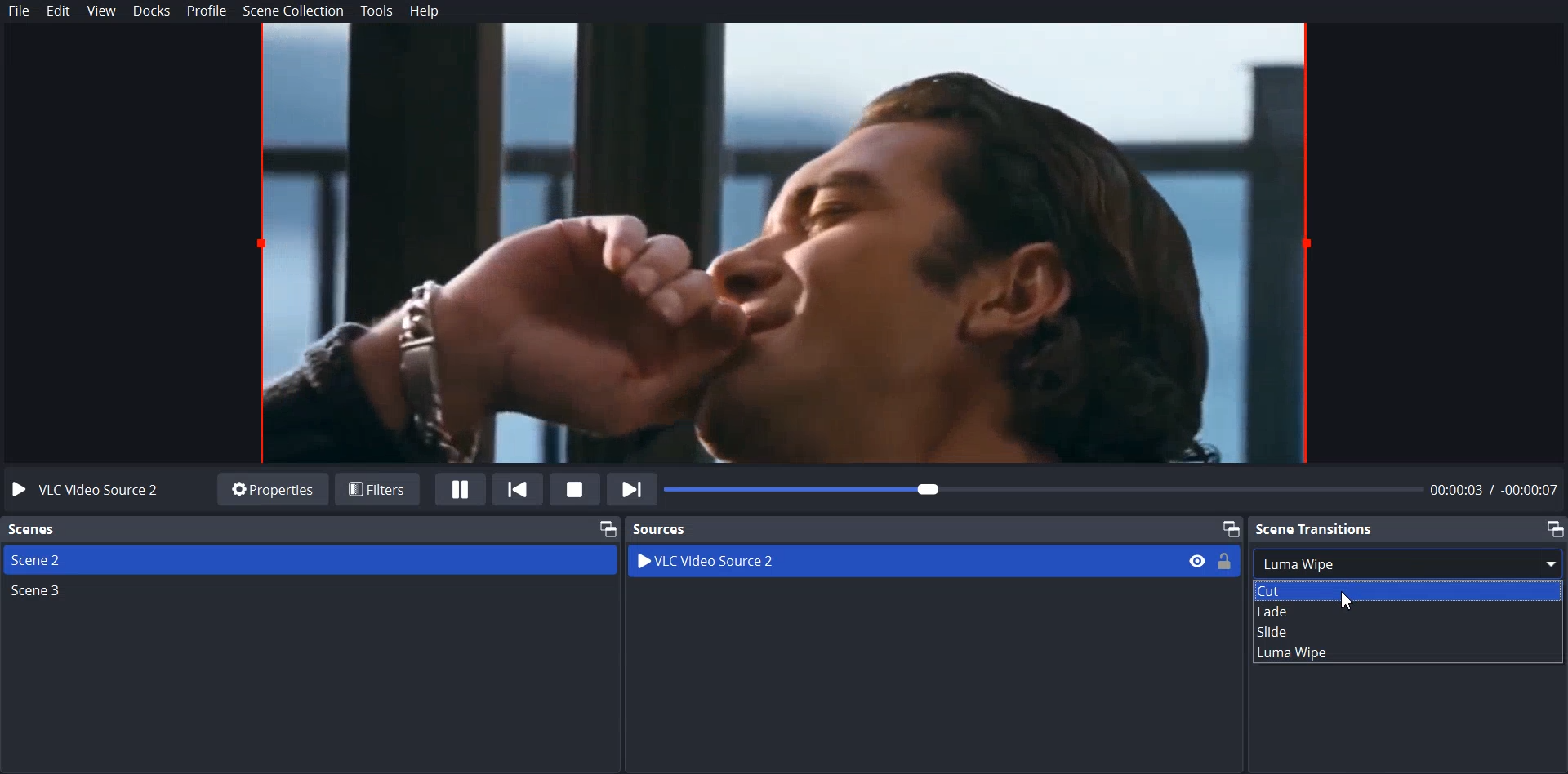 The image size is (1568, 774). Describe the element at coordinates (207, 11) in the screenshot. I see `Profile` at that location.